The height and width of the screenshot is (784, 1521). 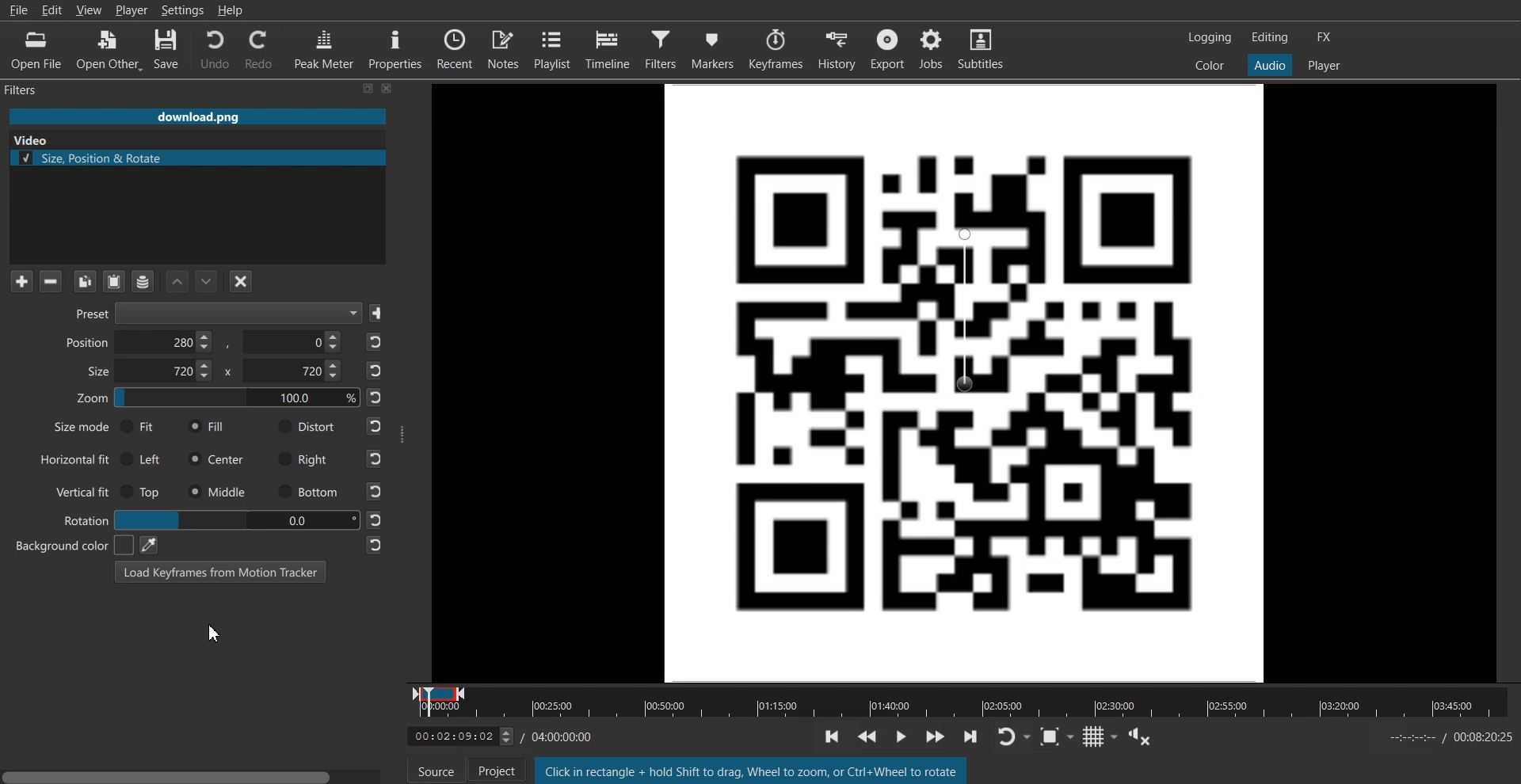 I want to click on Save a filter set, so click(x=143, y=281).